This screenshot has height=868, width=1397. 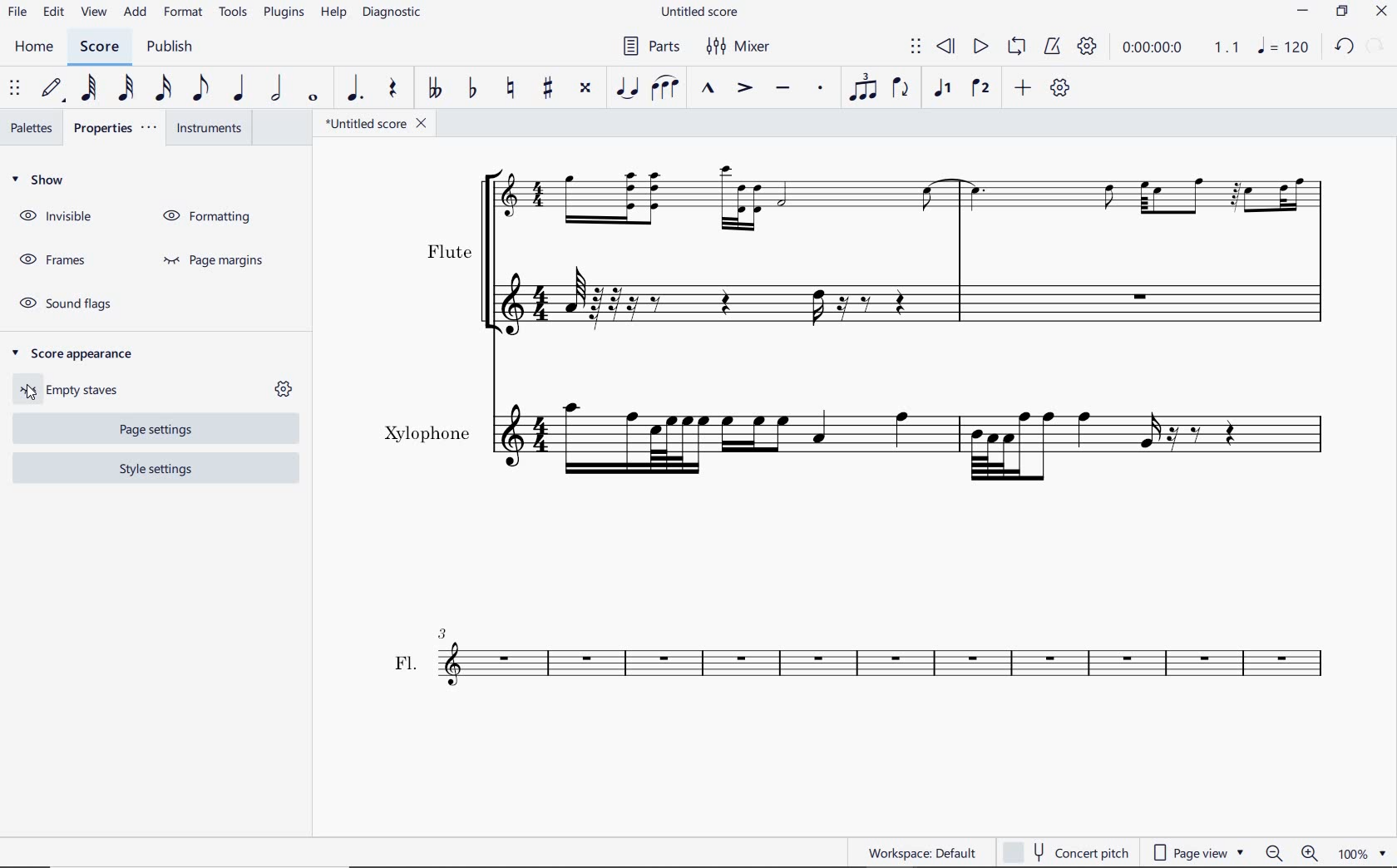 I want to click on PUBLISH, so click(x=170, y=47).